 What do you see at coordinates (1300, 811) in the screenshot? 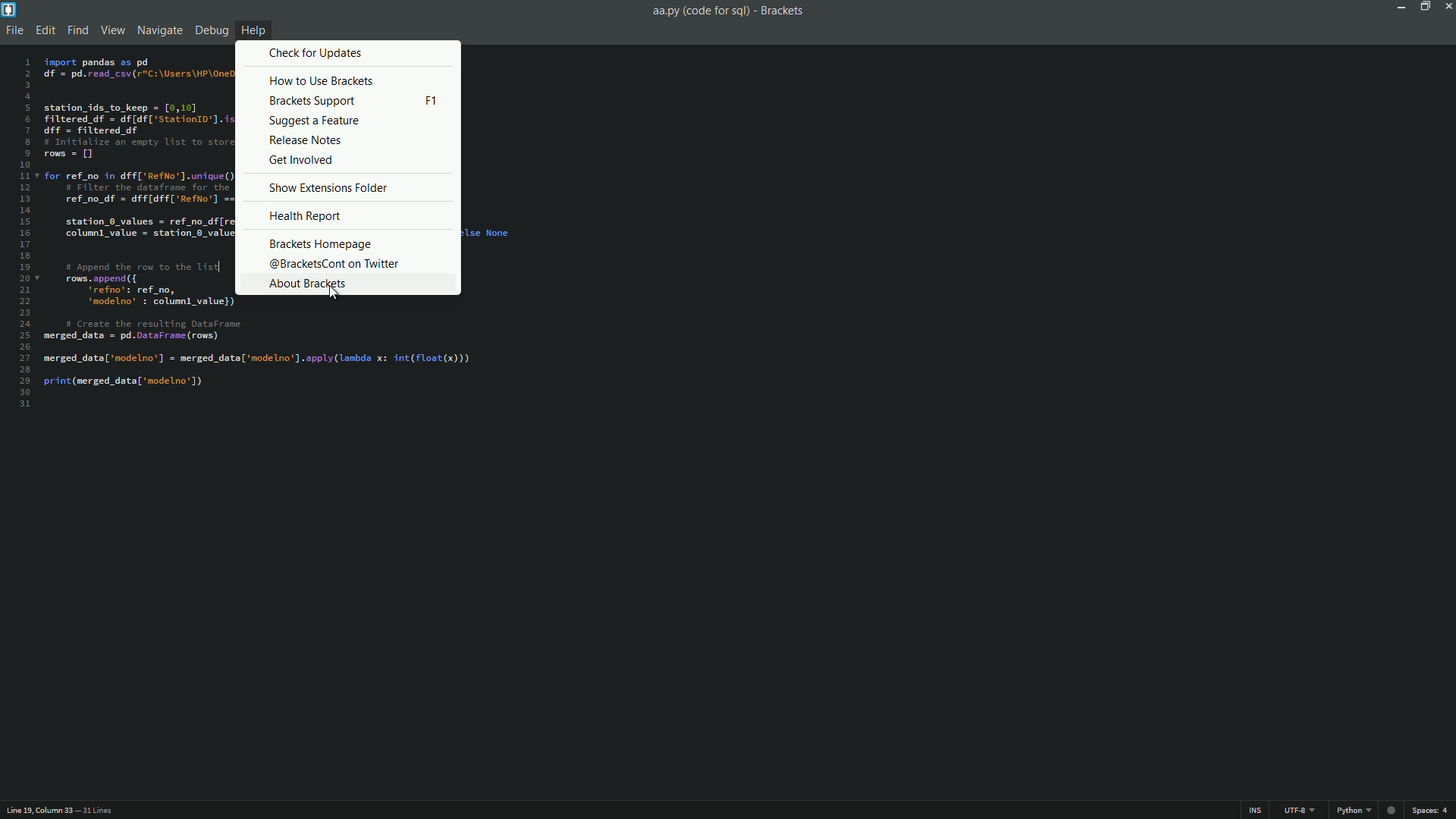
I see `line encoding` at bounding box center [1300, 811].